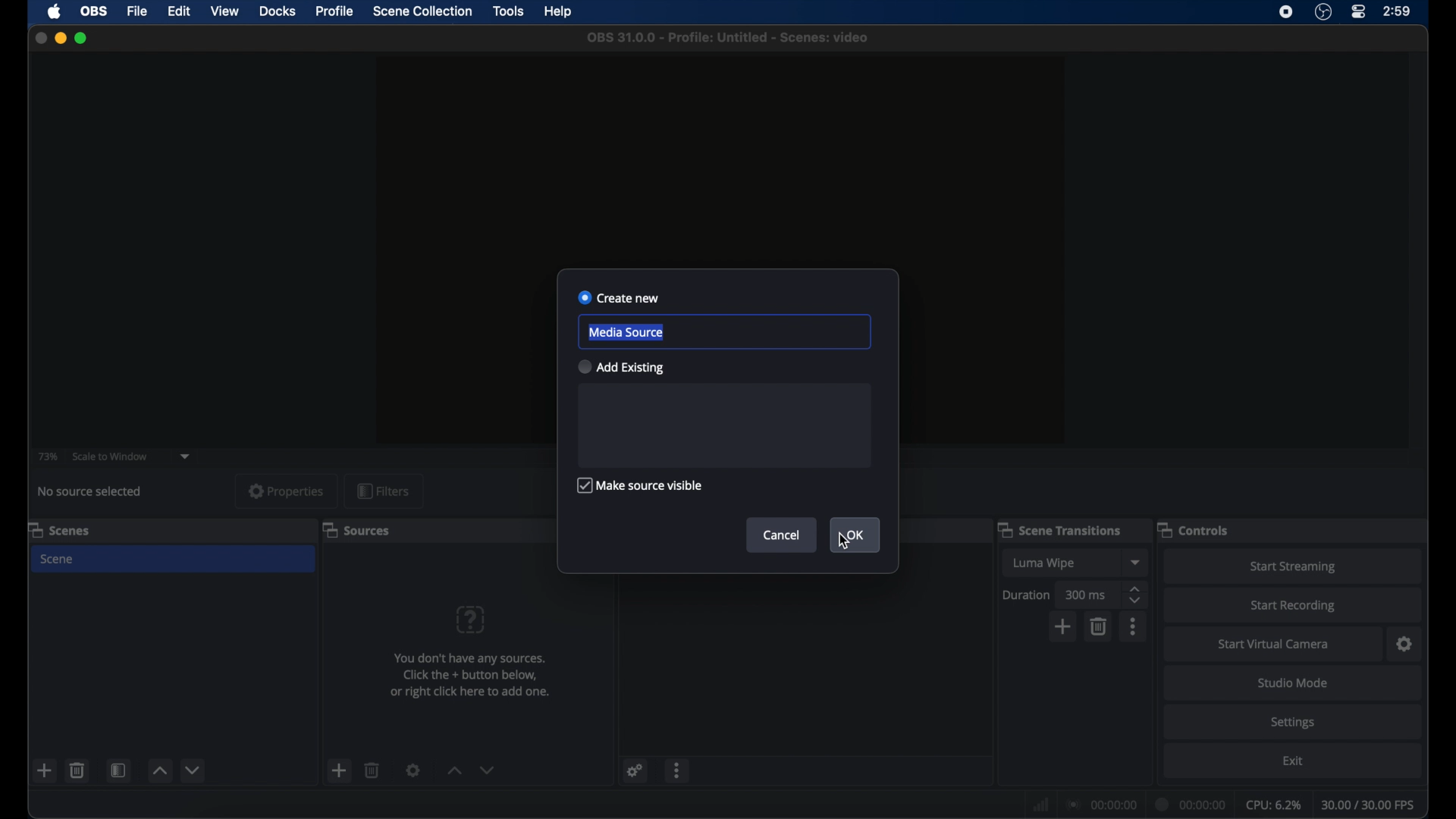  I want to click on dropdown, so click(186, 457).